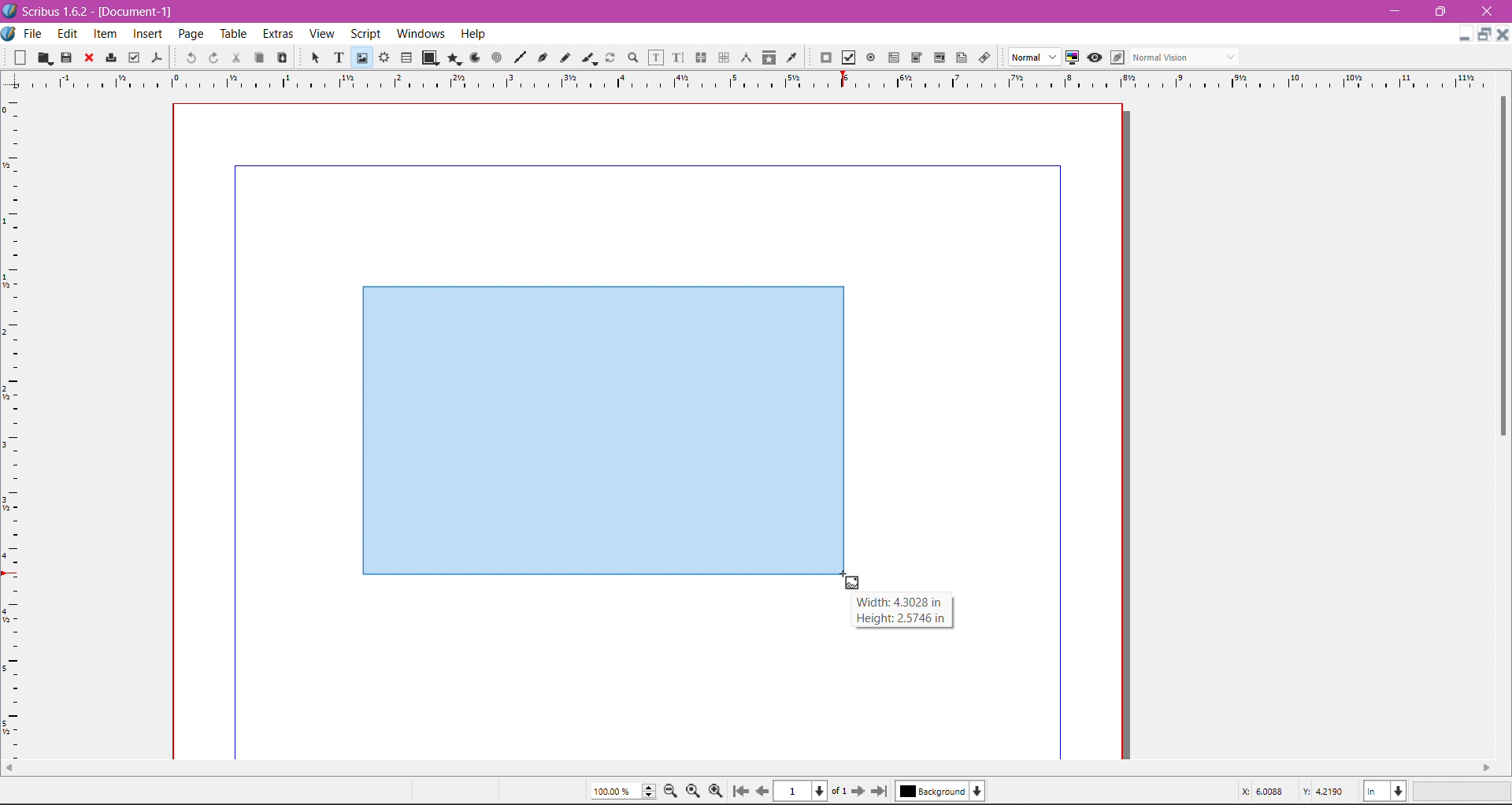  What do you see at coordinates (520, 57) in the screenshot?
I see `Line` at bounding box center [520, 57].